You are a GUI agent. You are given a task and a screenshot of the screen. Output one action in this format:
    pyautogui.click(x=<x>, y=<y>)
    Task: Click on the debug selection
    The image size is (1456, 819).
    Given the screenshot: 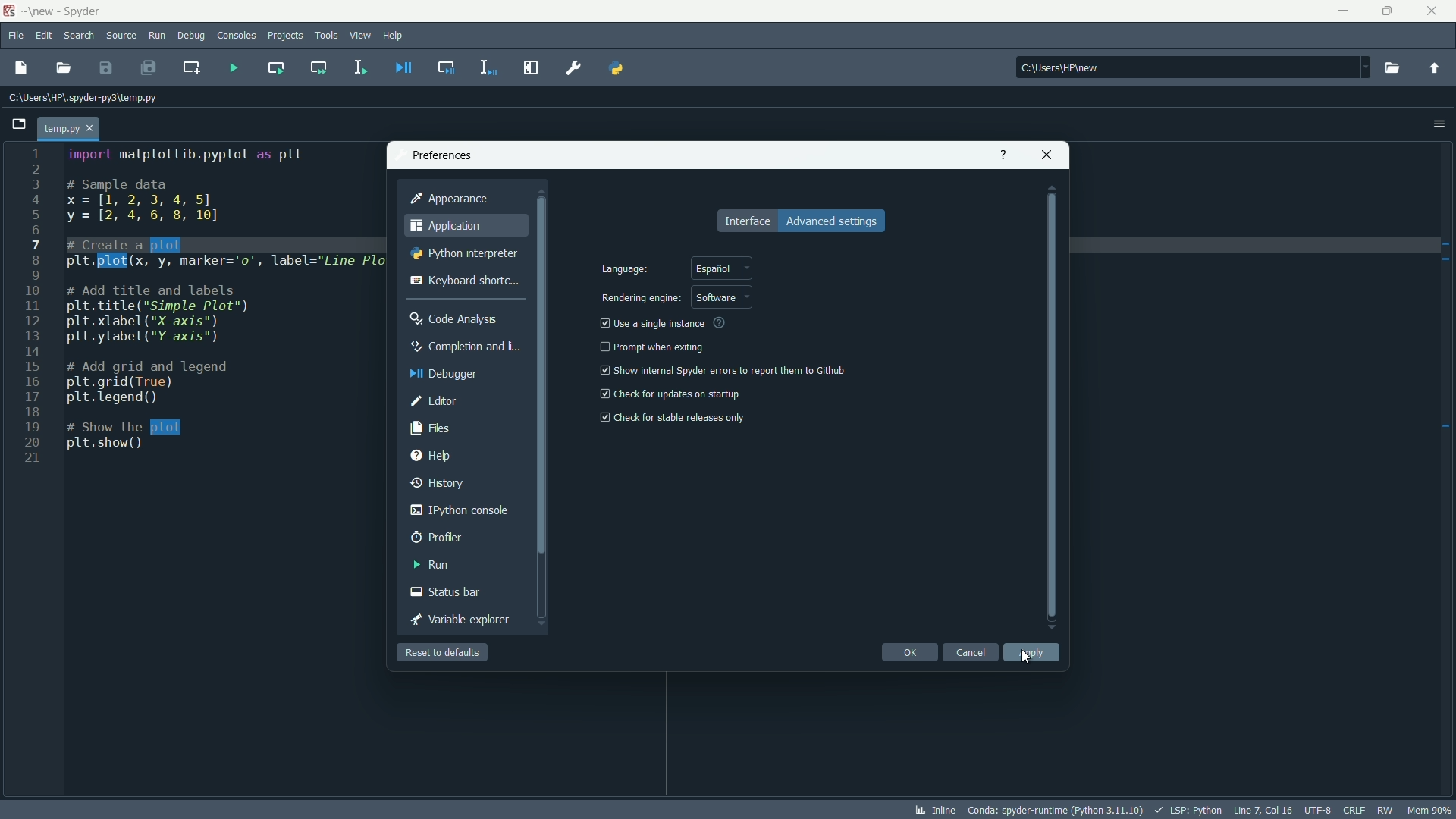 What is the action you would take?
    pyautogui.click(x=488, y=67)
    